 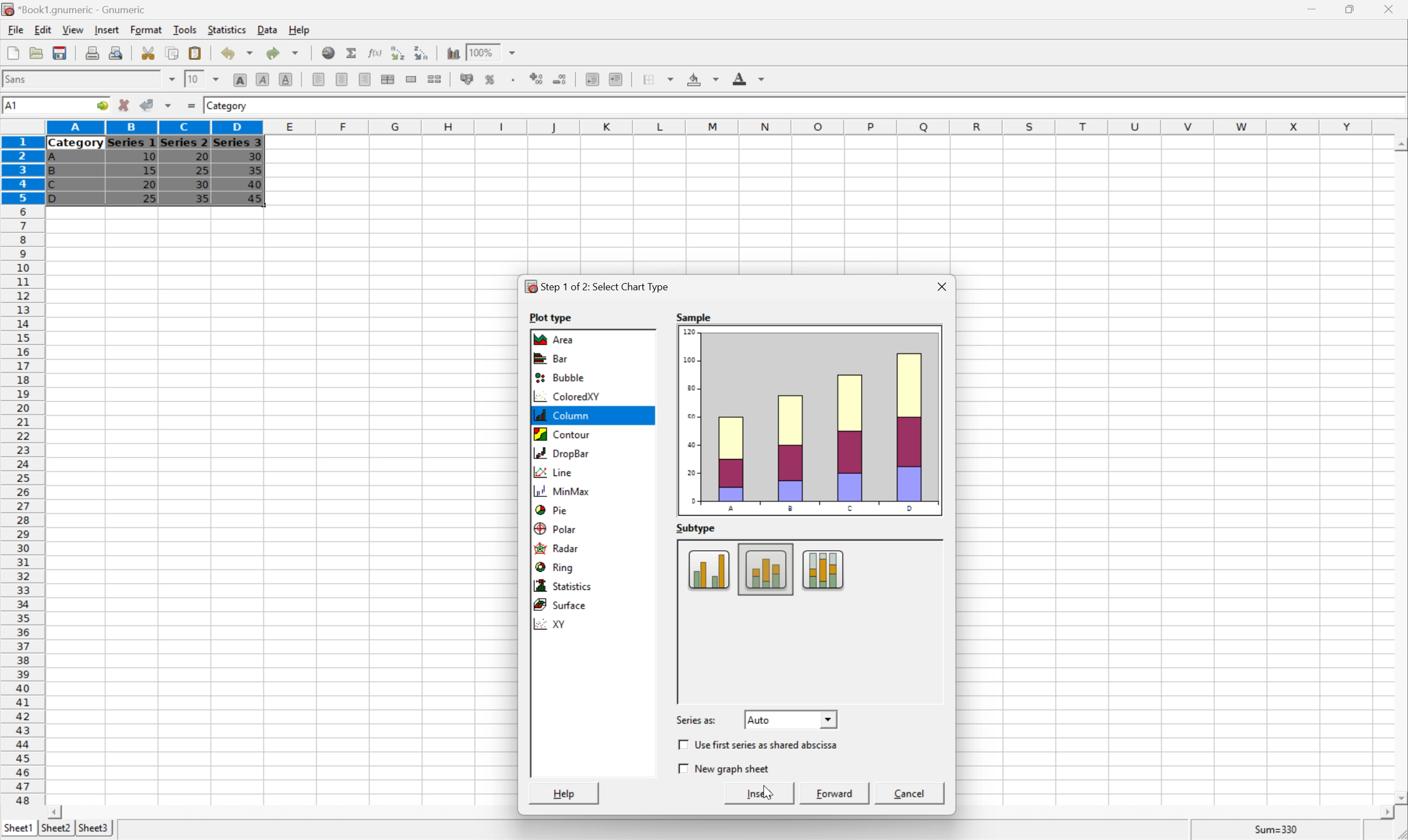 What do you see at coordinates (21, 470) in the screenshot?
I see `Row numbers` at bounding box center [21, 470].